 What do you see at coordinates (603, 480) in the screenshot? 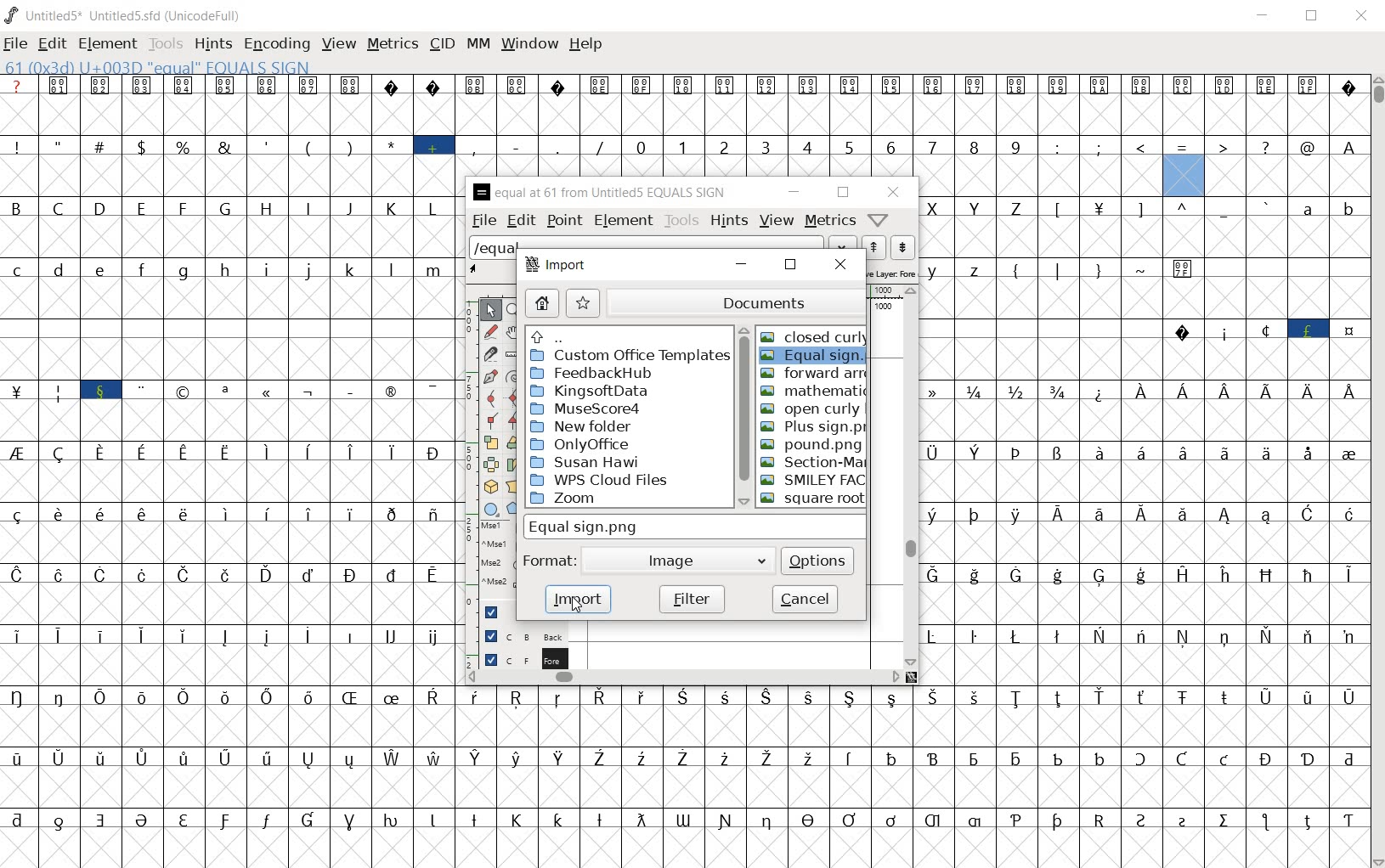
I see `WPS CLOUD FILES` at bounding box center [603, 480].